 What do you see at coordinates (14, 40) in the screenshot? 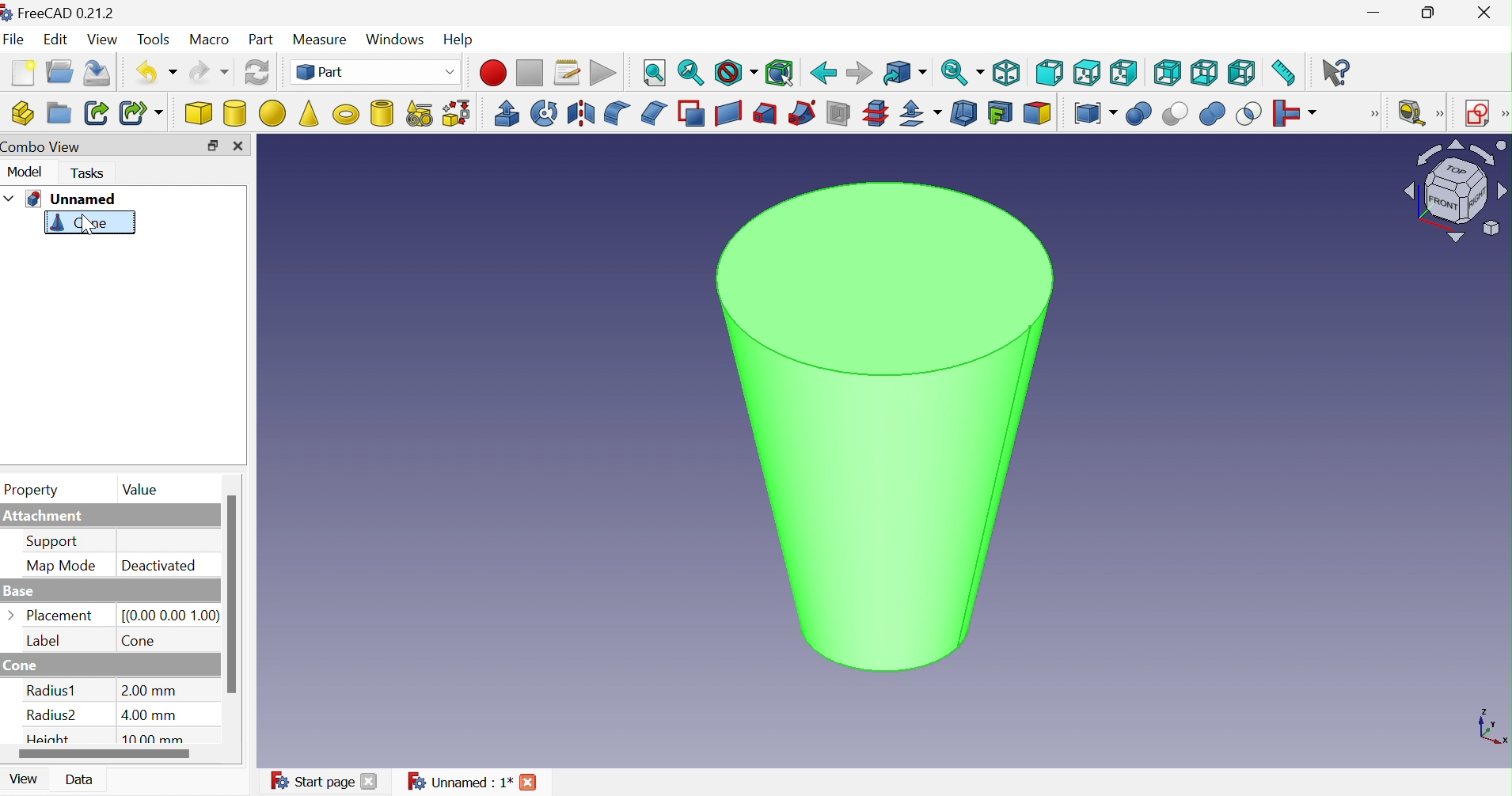
I see `File` at bounding box center [14, 40].